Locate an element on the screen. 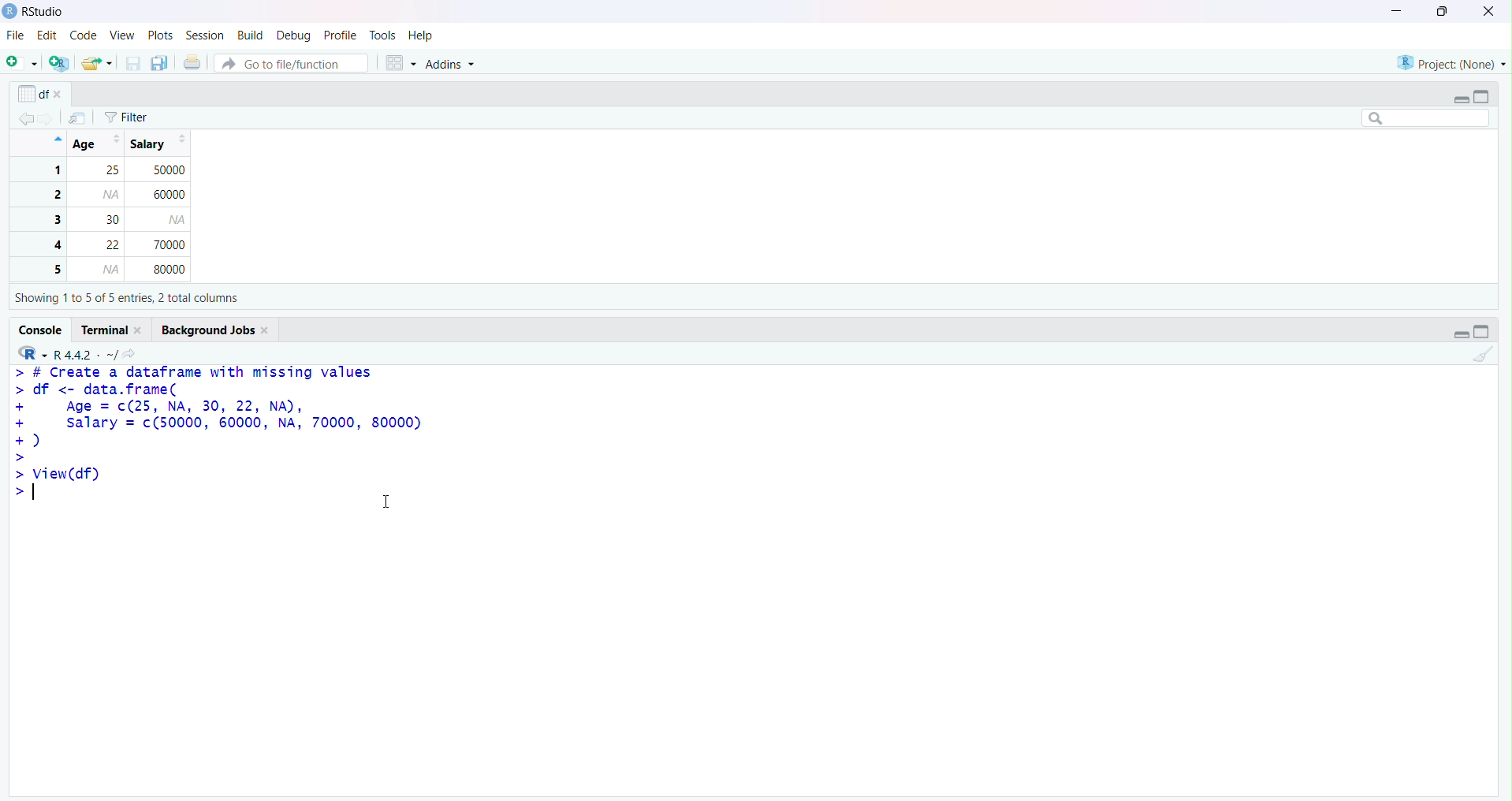  RStudio is located at coordinates (42, 12).